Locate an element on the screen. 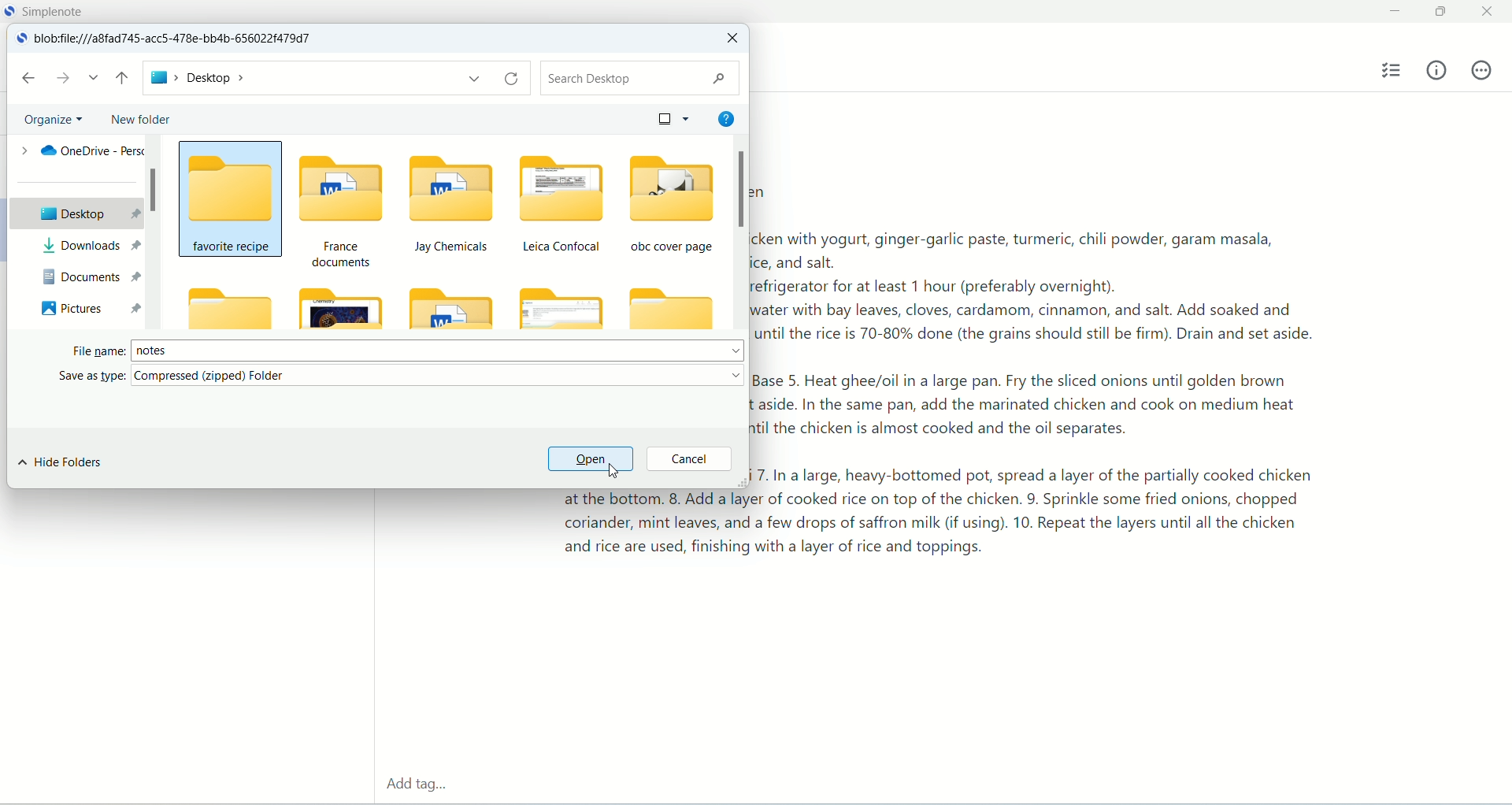 This screenshot has width=1512, height=805. maximize is located at coordinates (1443, 13).